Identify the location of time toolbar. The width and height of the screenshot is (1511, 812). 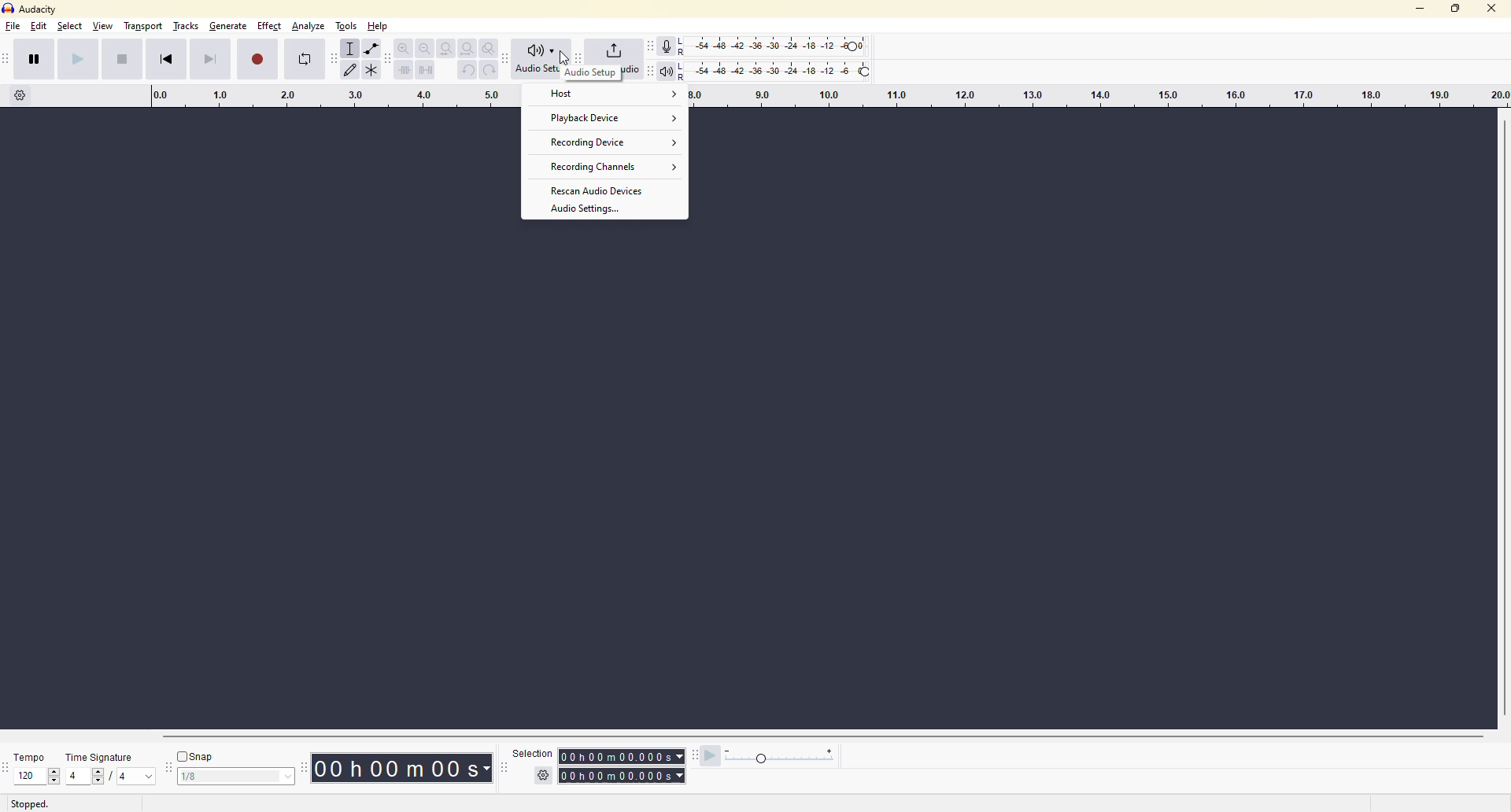
(305, 770).